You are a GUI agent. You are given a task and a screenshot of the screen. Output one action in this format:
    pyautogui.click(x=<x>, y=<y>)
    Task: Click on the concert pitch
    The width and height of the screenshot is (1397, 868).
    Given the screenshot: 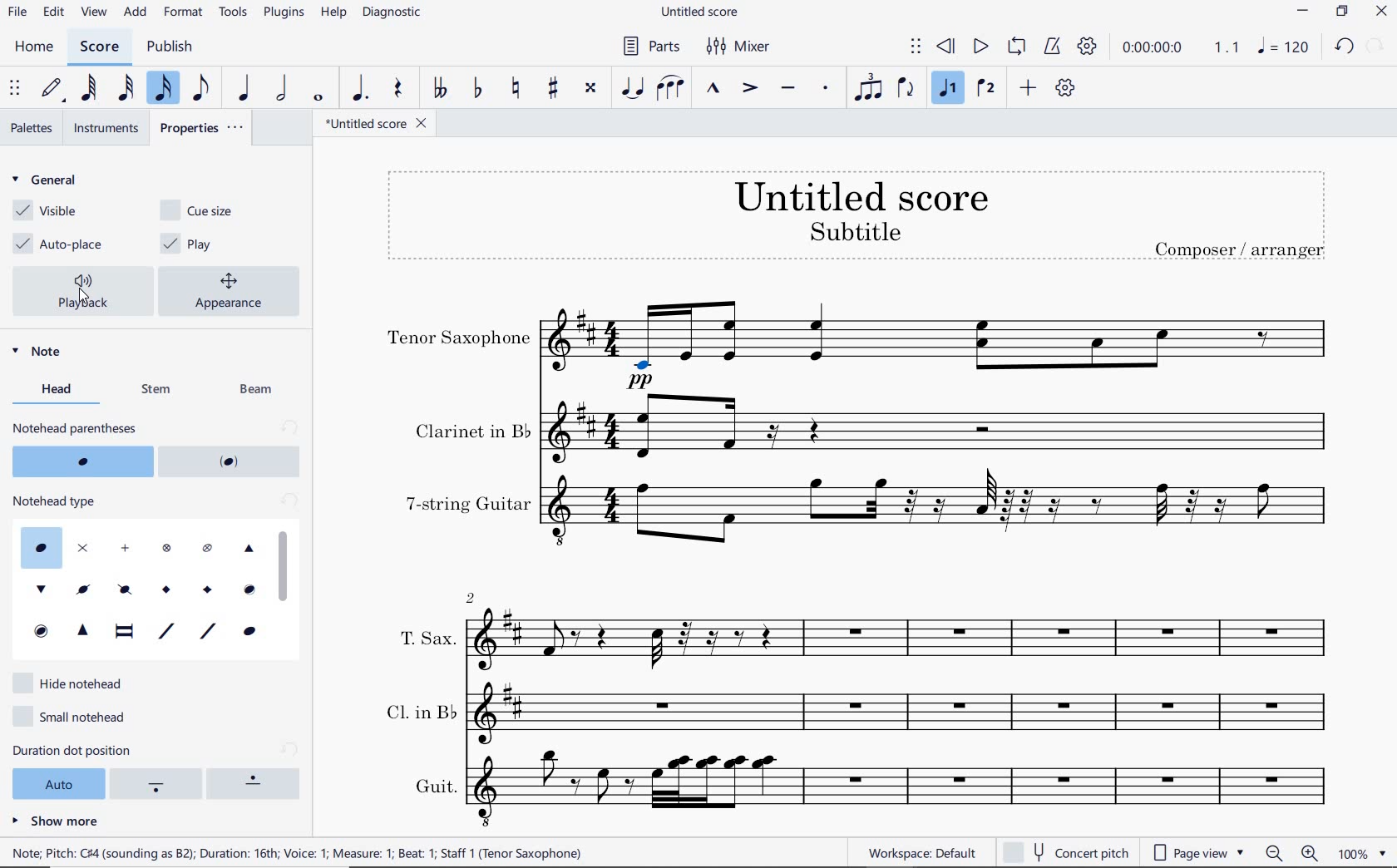 What is the action you would take?
    pyautogui.click(x=1065, y=850)
    